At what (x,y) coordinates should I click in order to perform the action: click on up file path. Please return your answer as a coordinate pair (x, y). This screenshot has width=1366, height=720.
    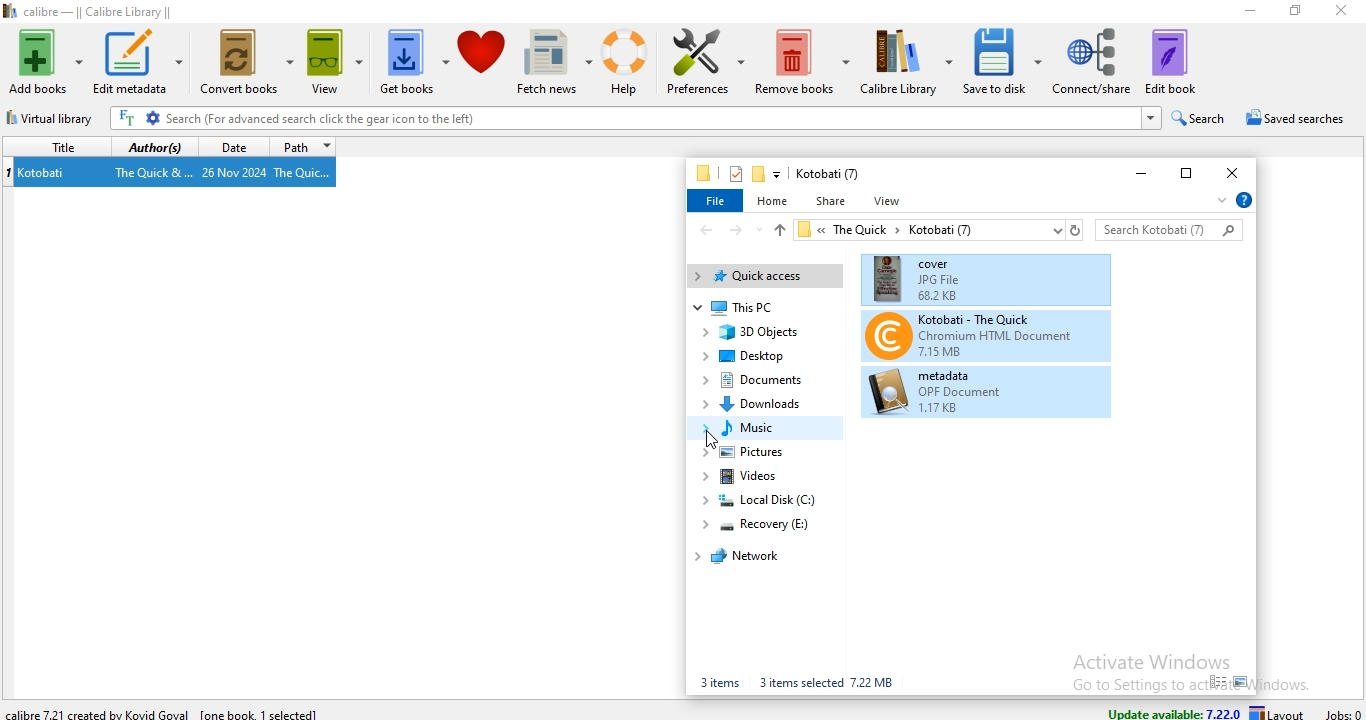
    Looking at the image, I should click on (778, 230).